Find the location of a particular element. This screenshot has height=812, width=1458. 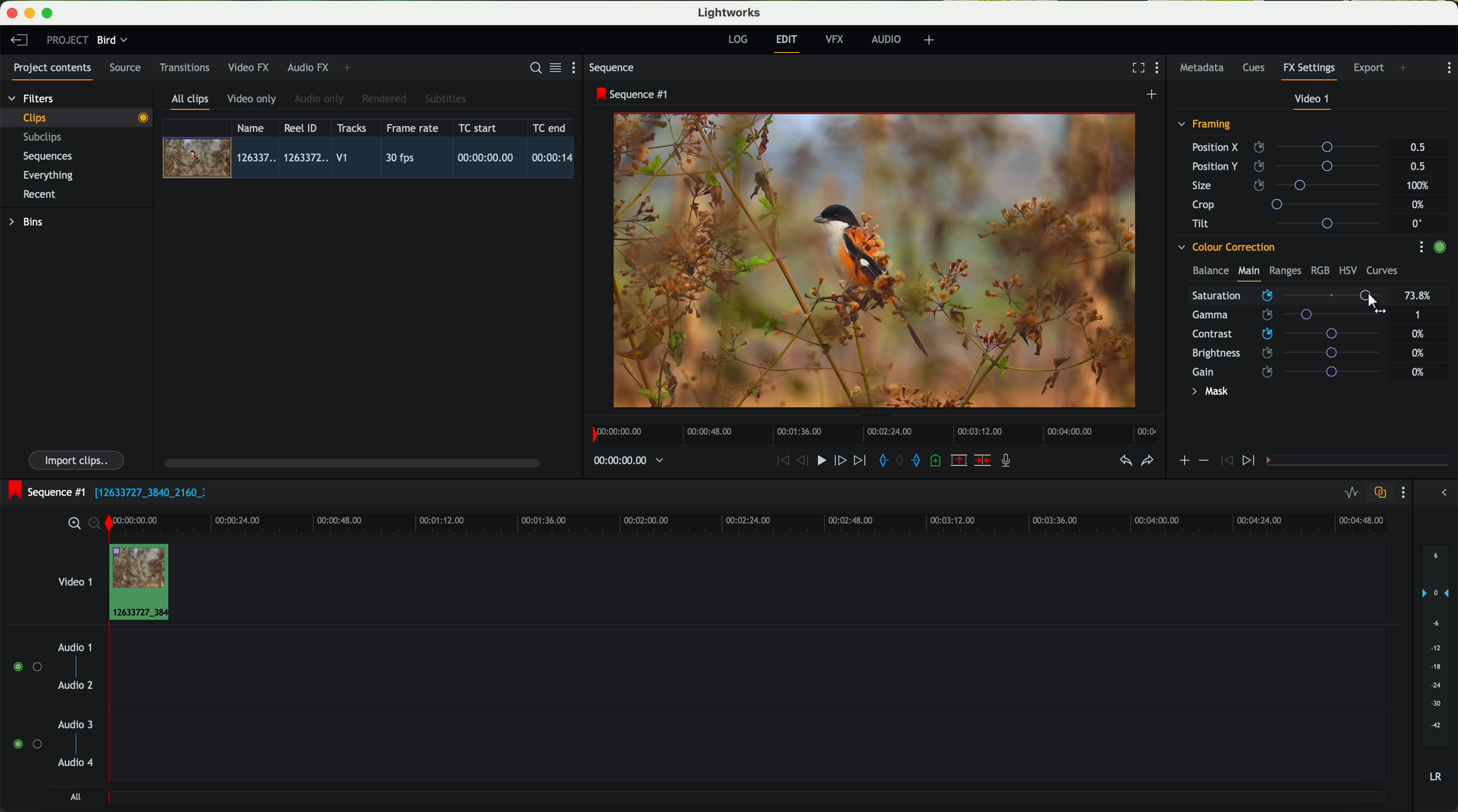

add panel is located at coordinates (350, 68).